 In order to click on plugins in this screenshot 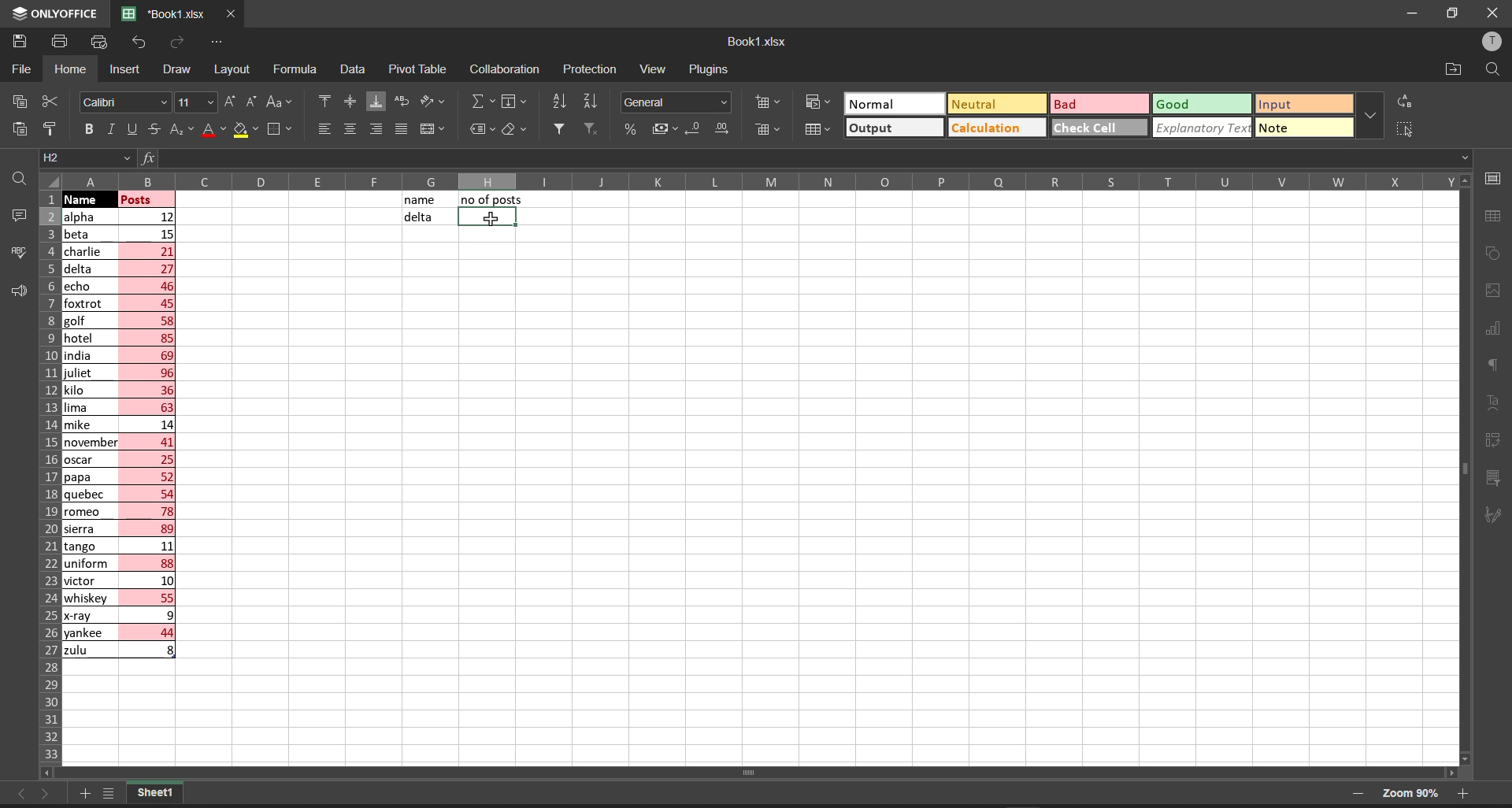, I will do `click(710, 69)`.